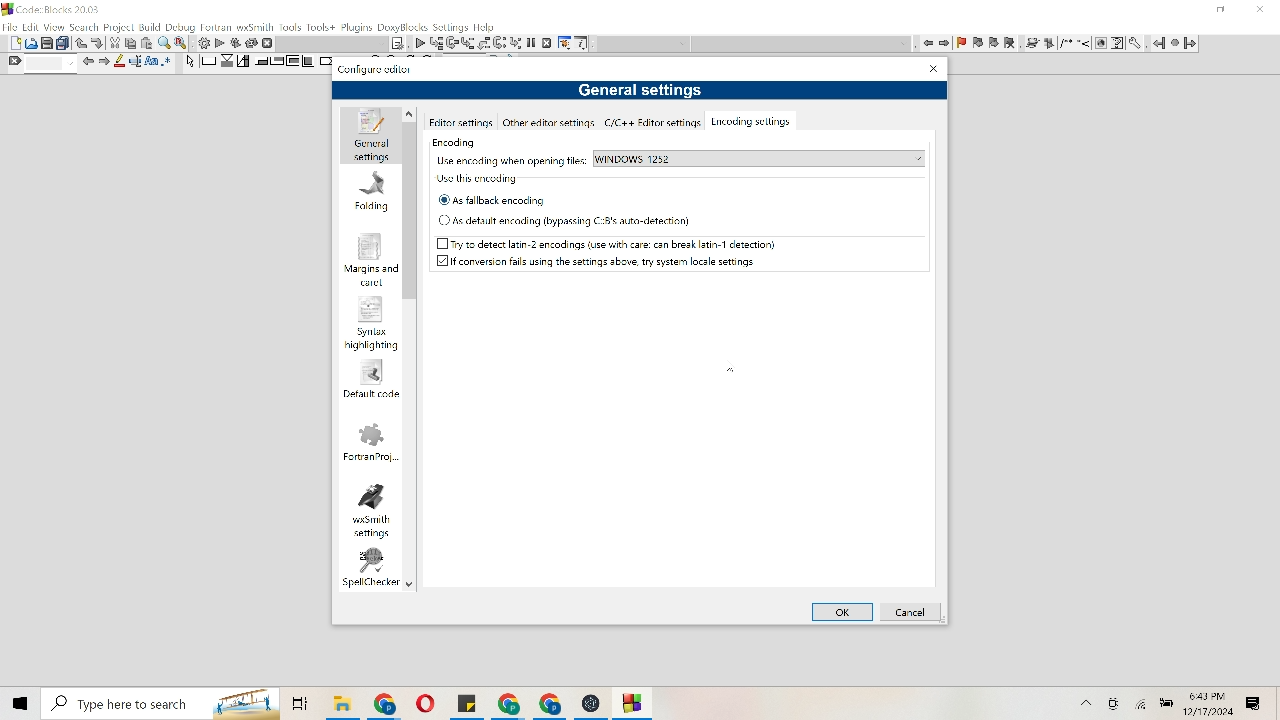 This screenshot has width=1280, height=720. Describe the element at coordinates (508, 162) in the screenshot. I see `Use encoding when opening files` at that location.